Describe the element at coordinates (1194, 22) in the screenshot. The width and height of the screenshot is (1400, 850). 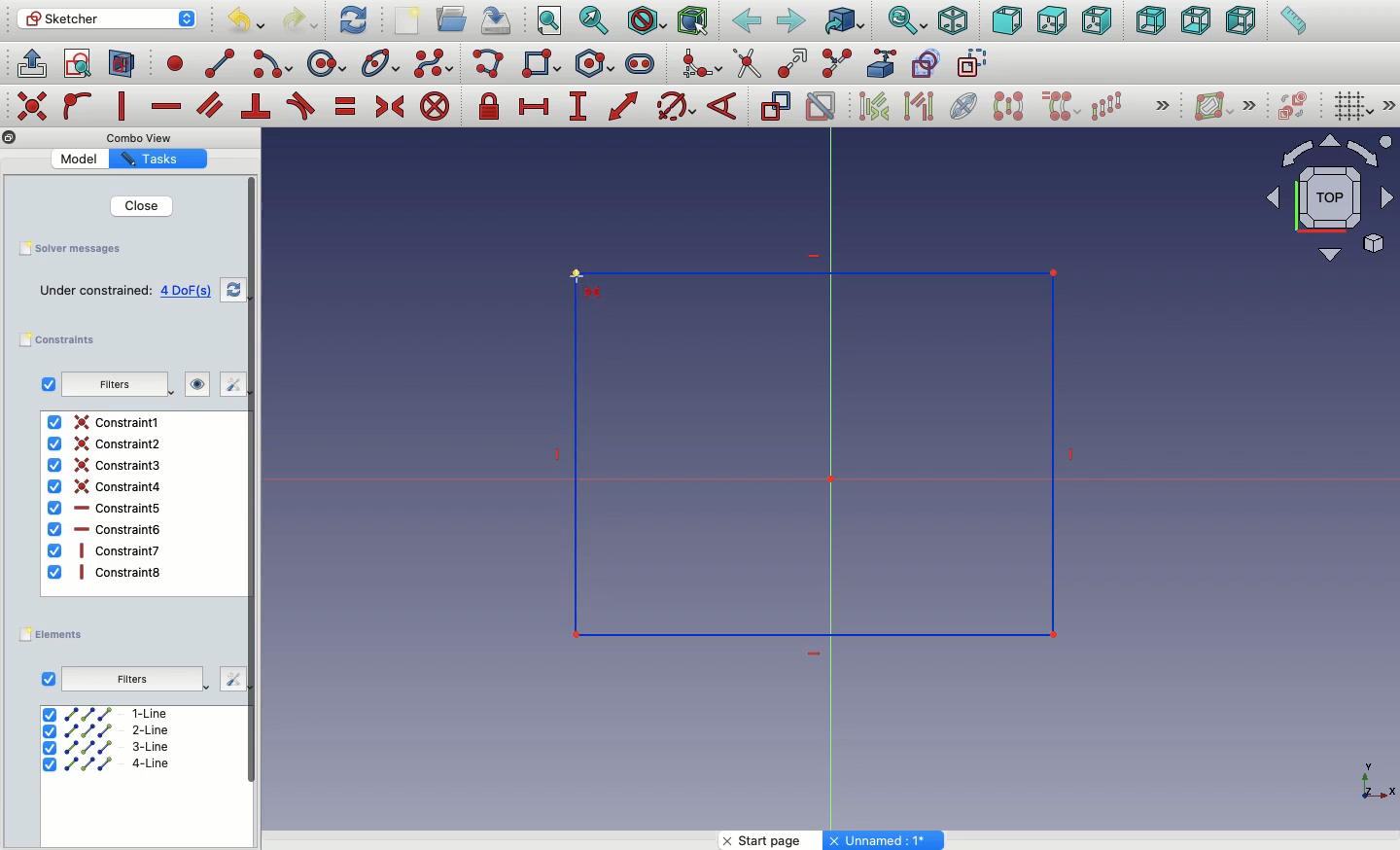
I see `Bottom` at that location.